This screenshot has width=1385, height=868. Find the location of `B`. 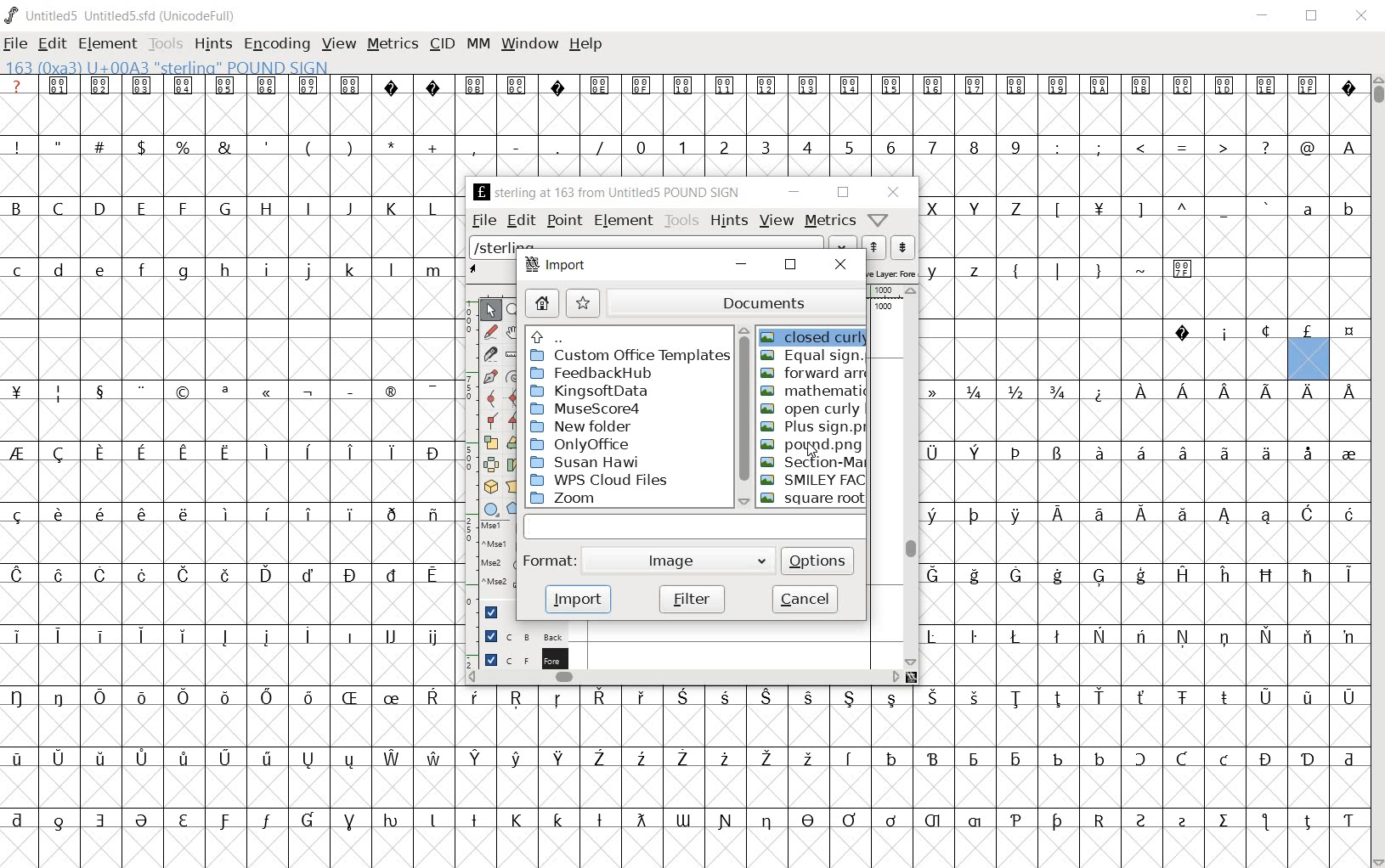

B is located at coordinates (22, 206).